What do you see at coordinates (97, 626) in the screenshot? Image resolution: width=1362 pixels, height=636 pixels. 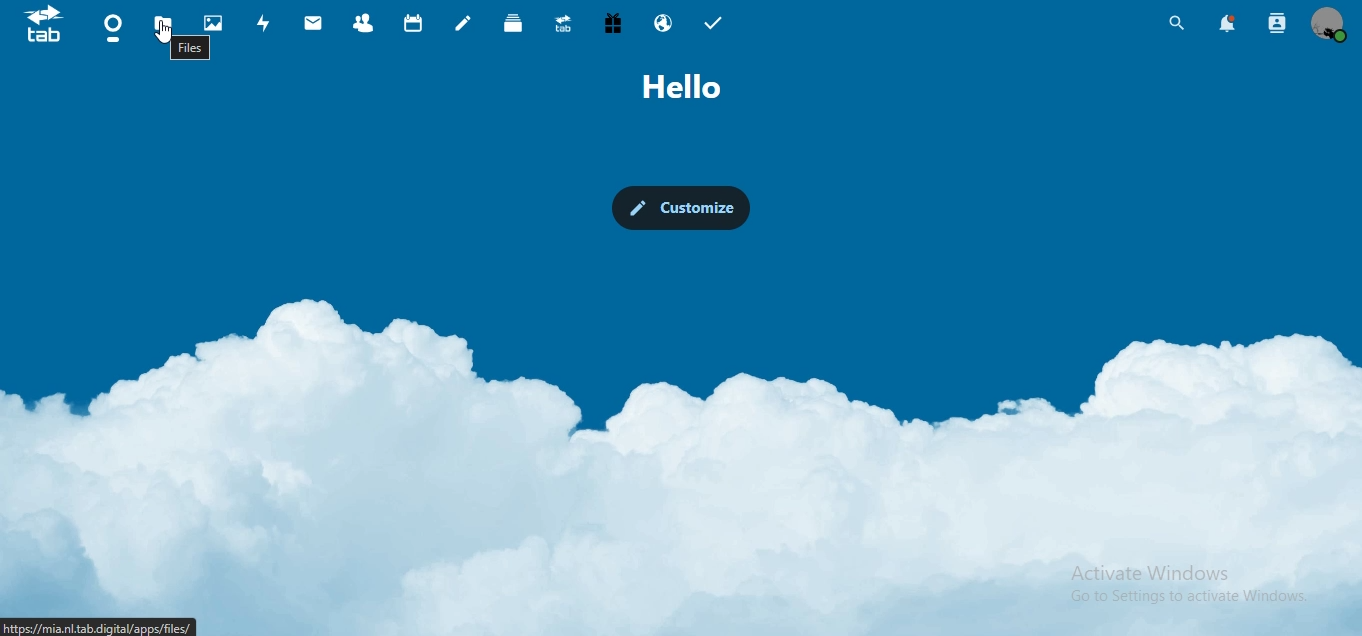 I see `link` at bounding box center [97, 626].